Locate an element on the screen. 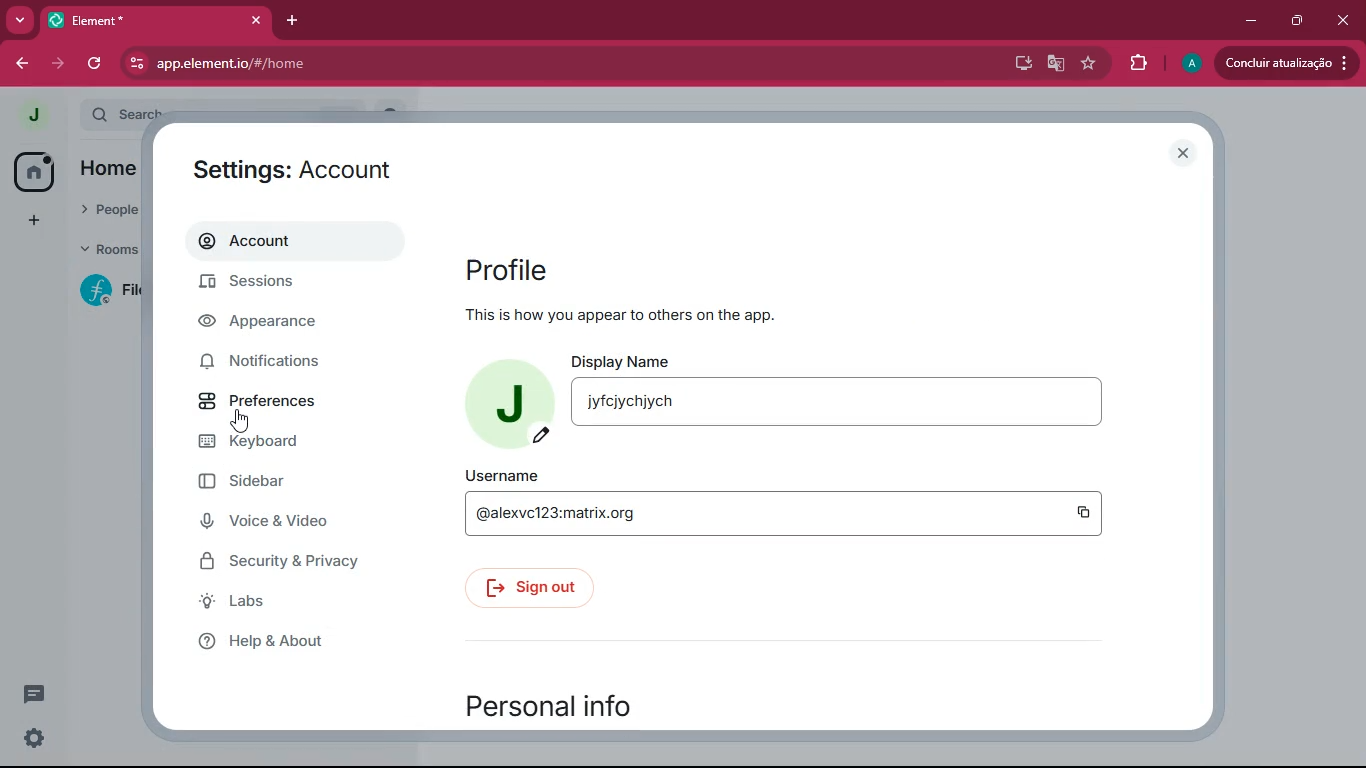 Image resolution: width=1366 pixels, height=768 pixels. profile is located at coordinates (34, 115).